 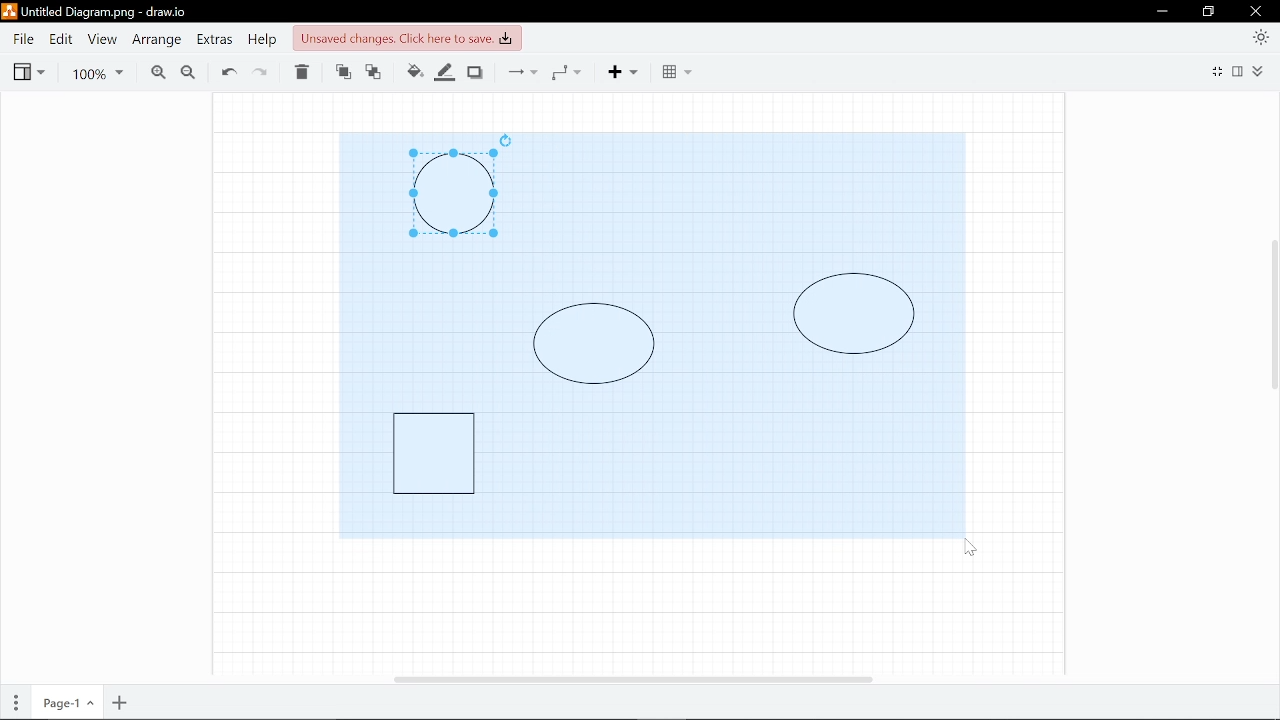 What do you see at coordinates (676, 72) in the screenshot?
I see `Table` at bounding box center [676, 72].